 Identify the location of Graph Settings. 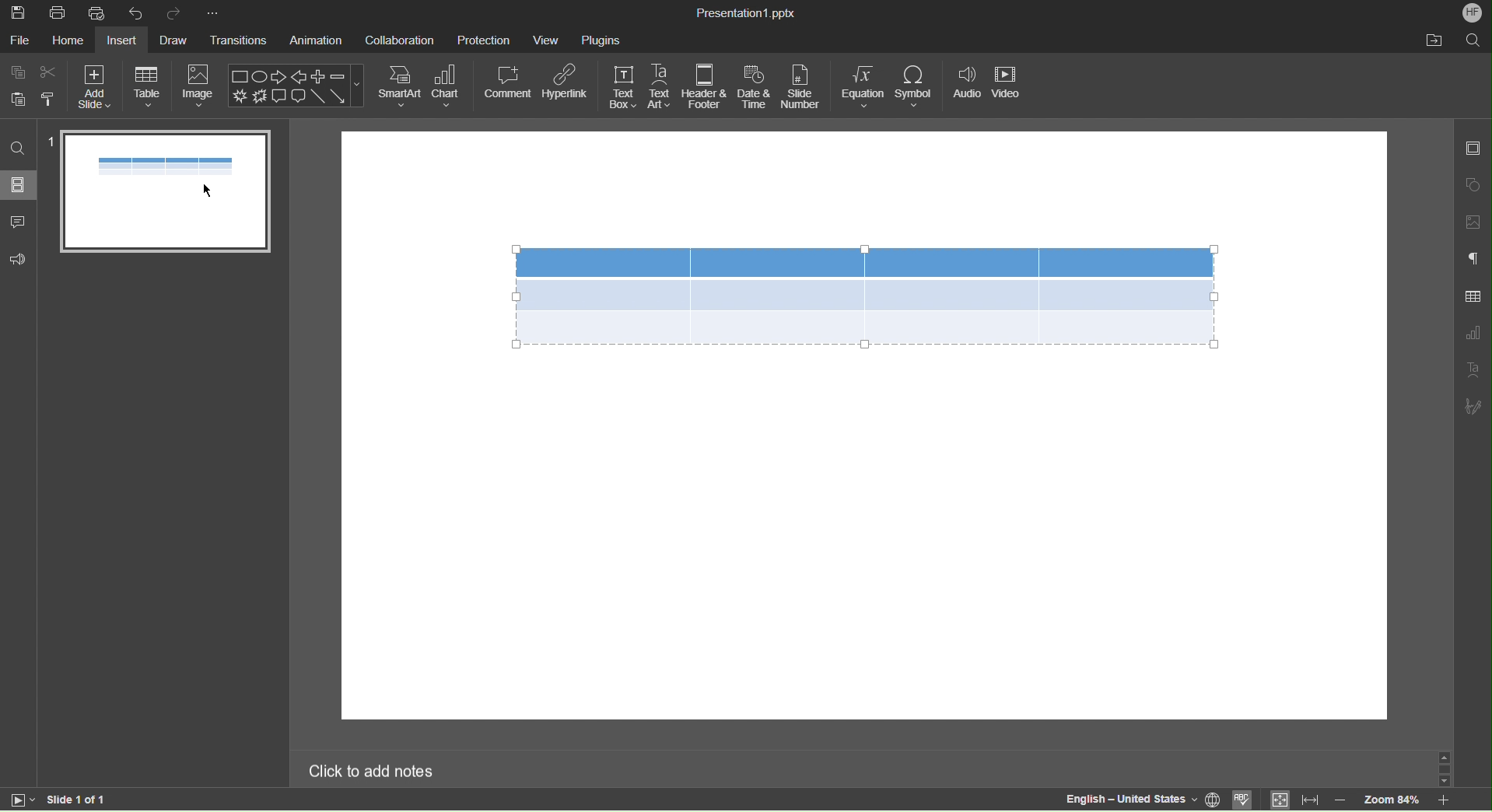
(1473, 334).